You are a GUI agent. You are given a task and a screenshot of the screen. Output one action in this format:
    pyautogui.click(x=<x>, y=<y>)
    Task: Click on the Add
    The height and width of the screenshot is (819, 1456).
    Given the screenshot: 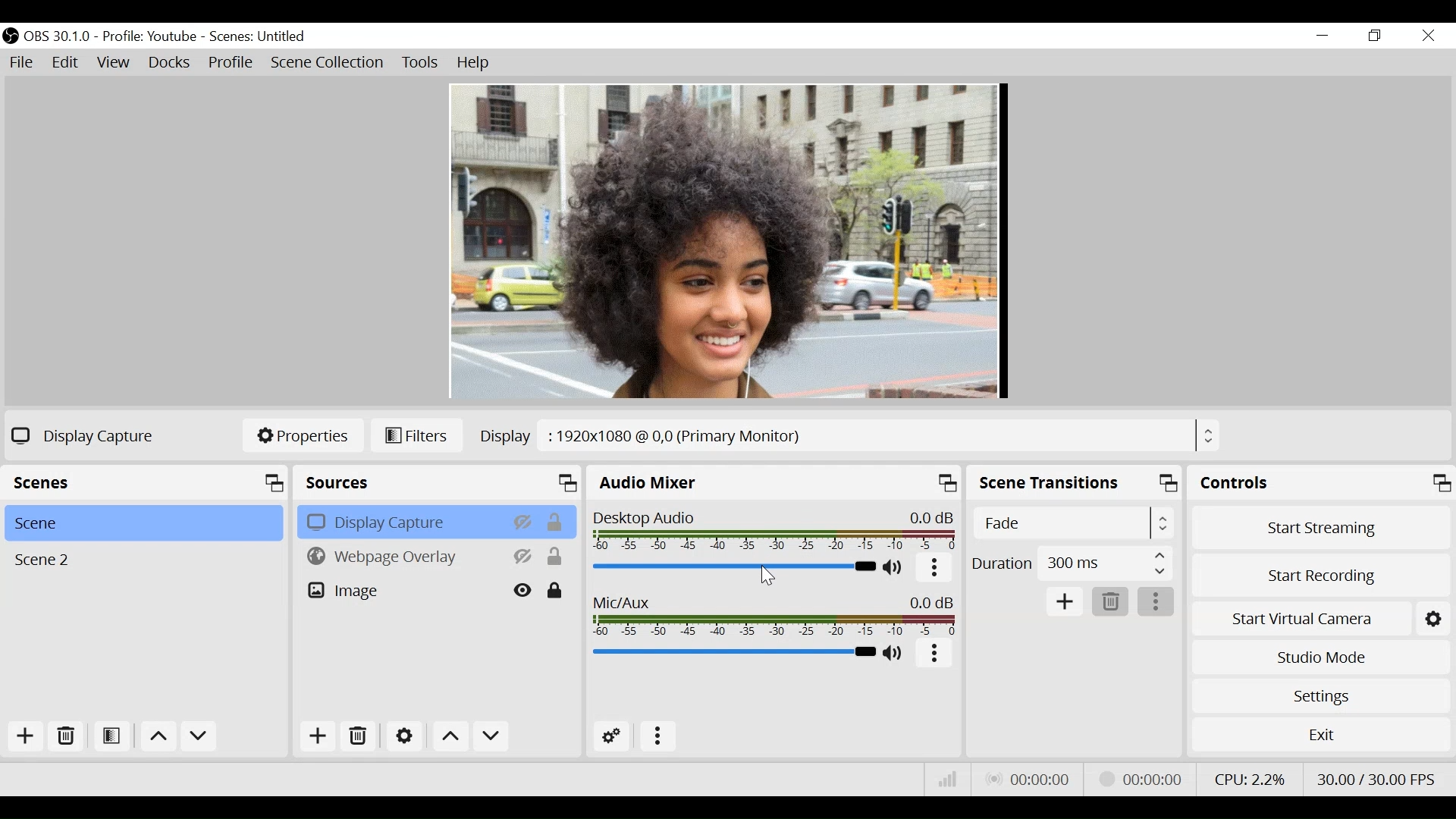 What is the action you would take?
    pyautogui.click(x=318, y=737)
    